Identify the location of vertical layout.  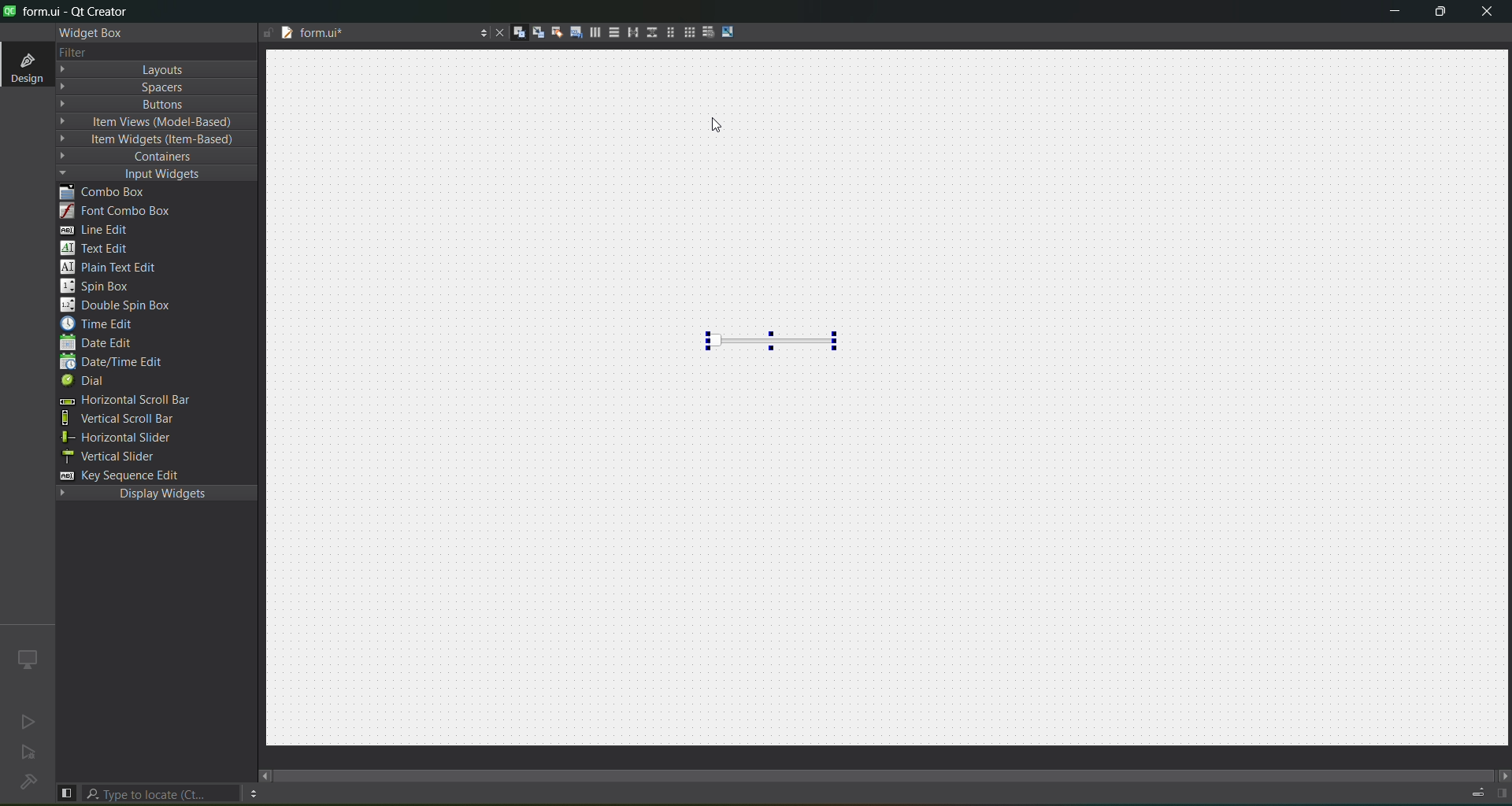
(612, 32).